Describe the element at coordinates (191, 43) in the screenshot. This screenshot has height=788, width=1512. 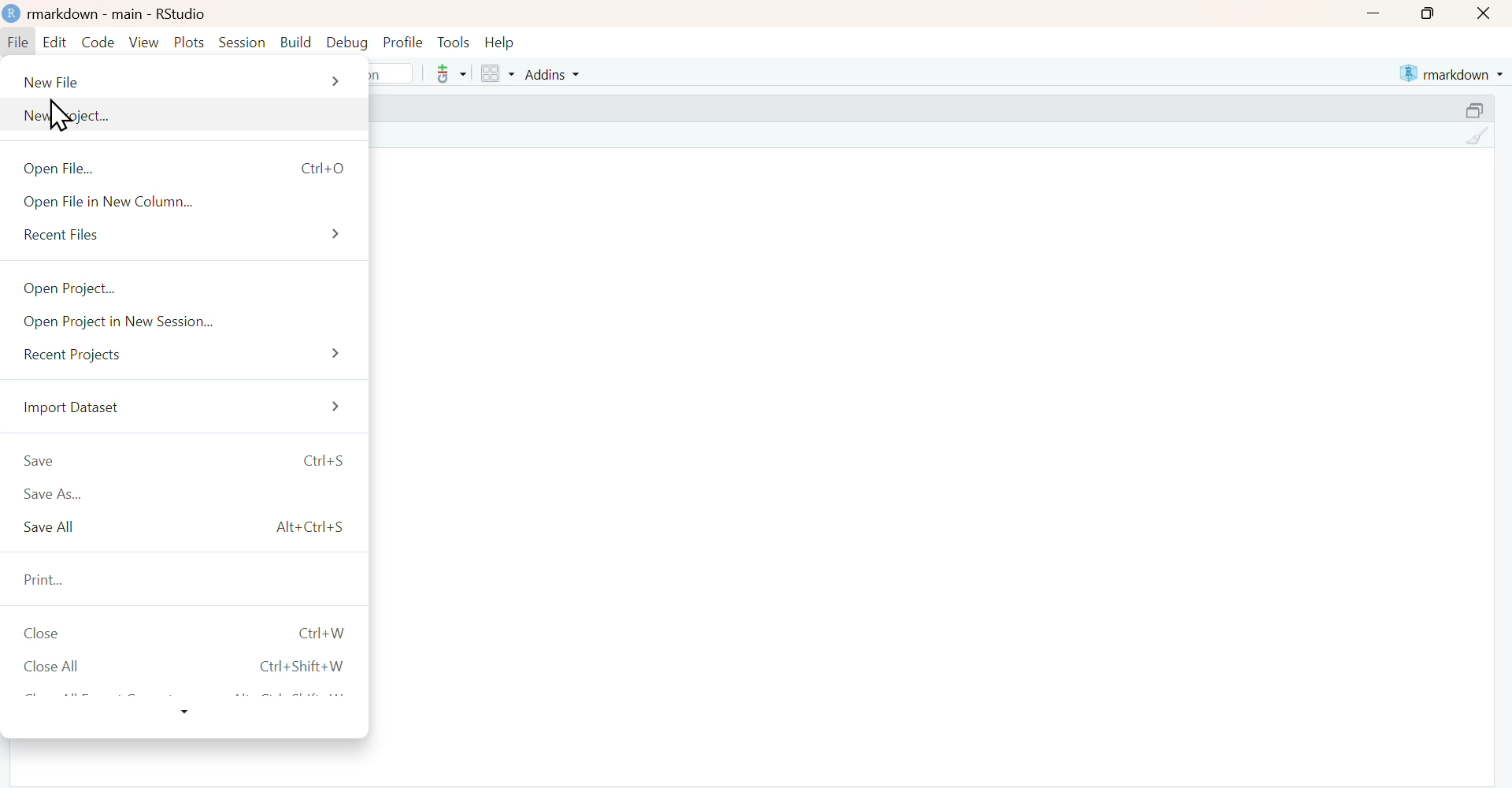
I see `Plots` at that location.